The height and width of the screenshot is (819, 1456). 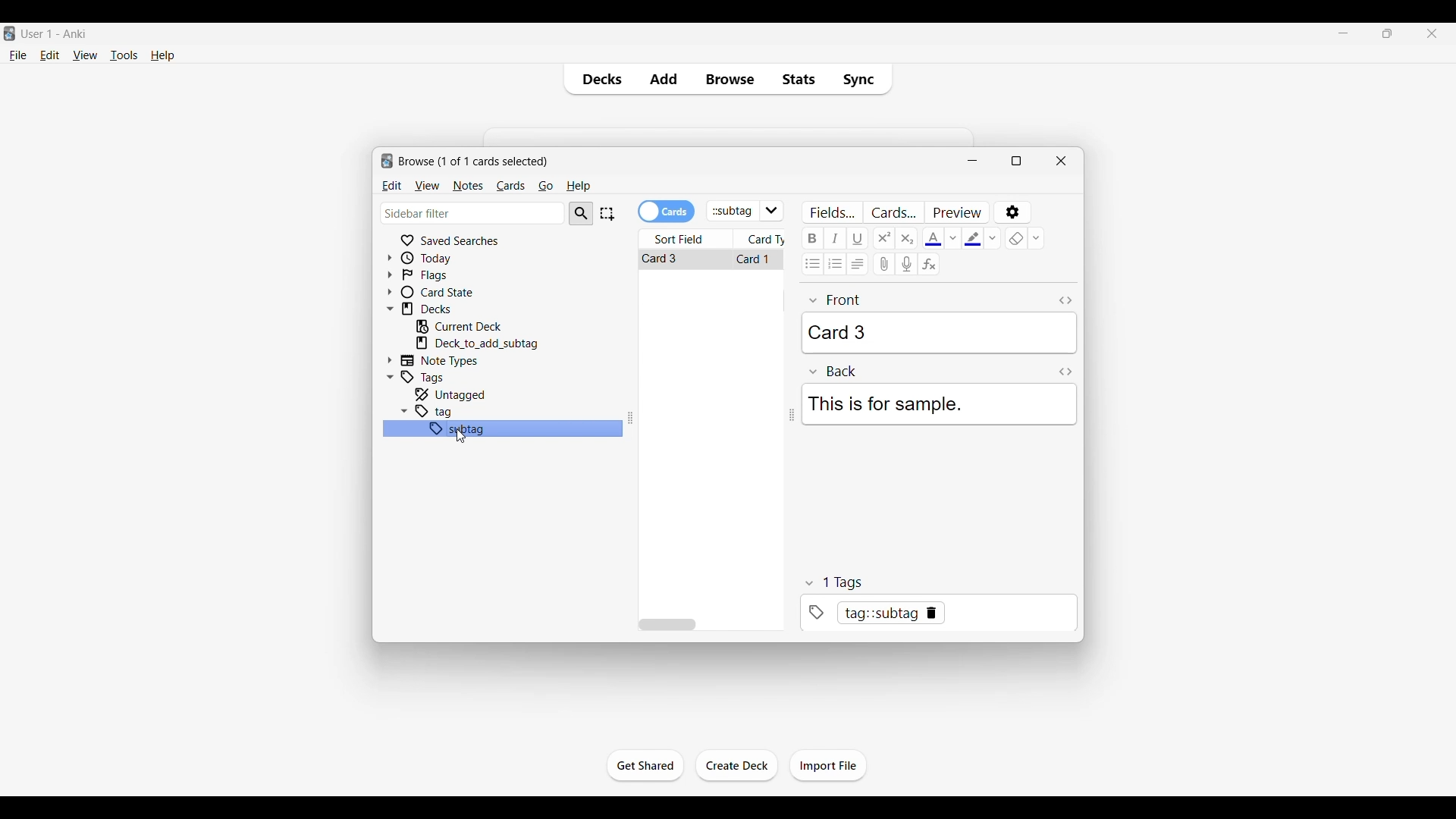 I want to click on Click to create another deck, so click(x=737, y=765).